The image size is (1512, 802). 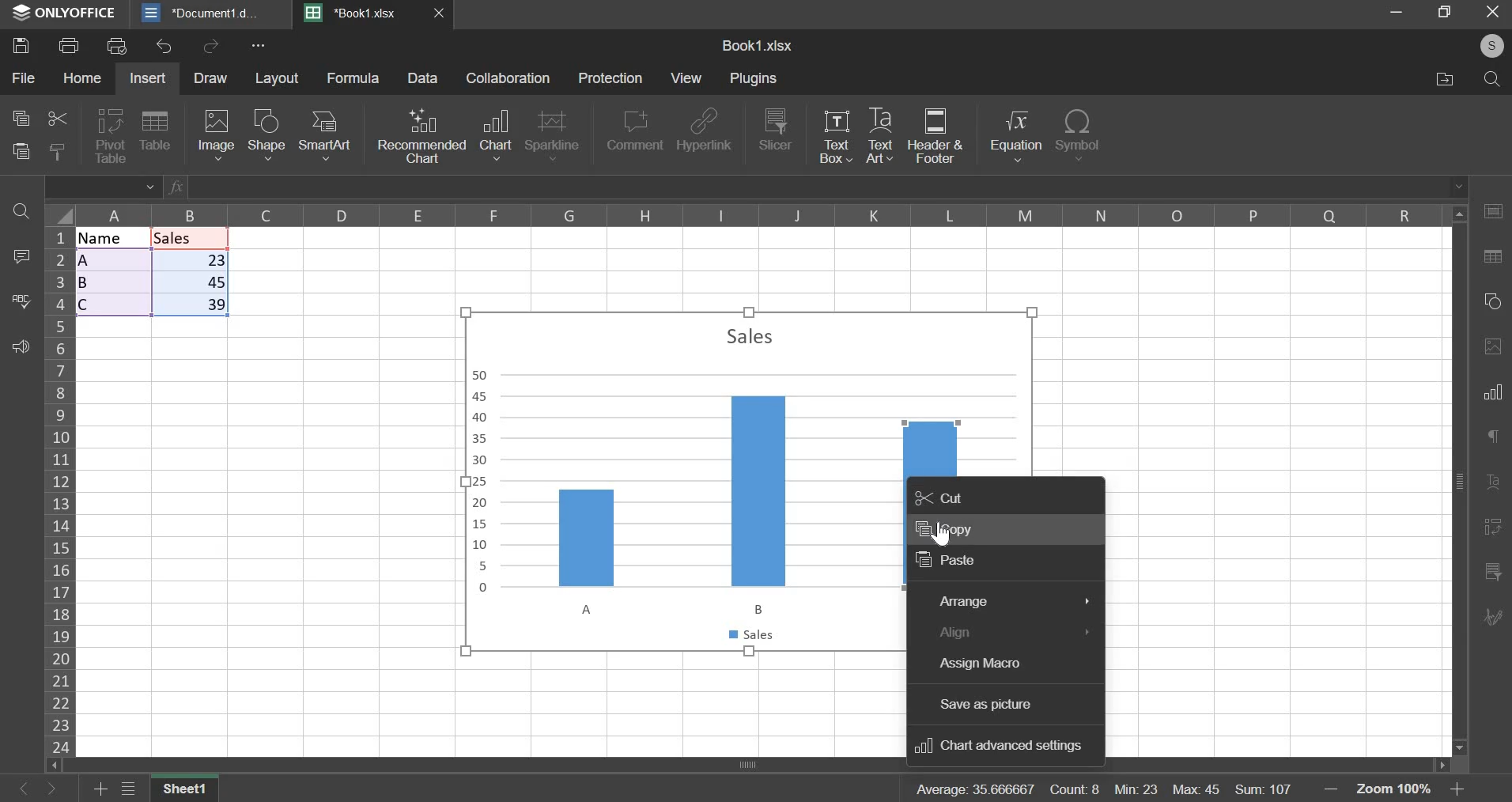 I want to click on layout, so click(x=277, y=78).